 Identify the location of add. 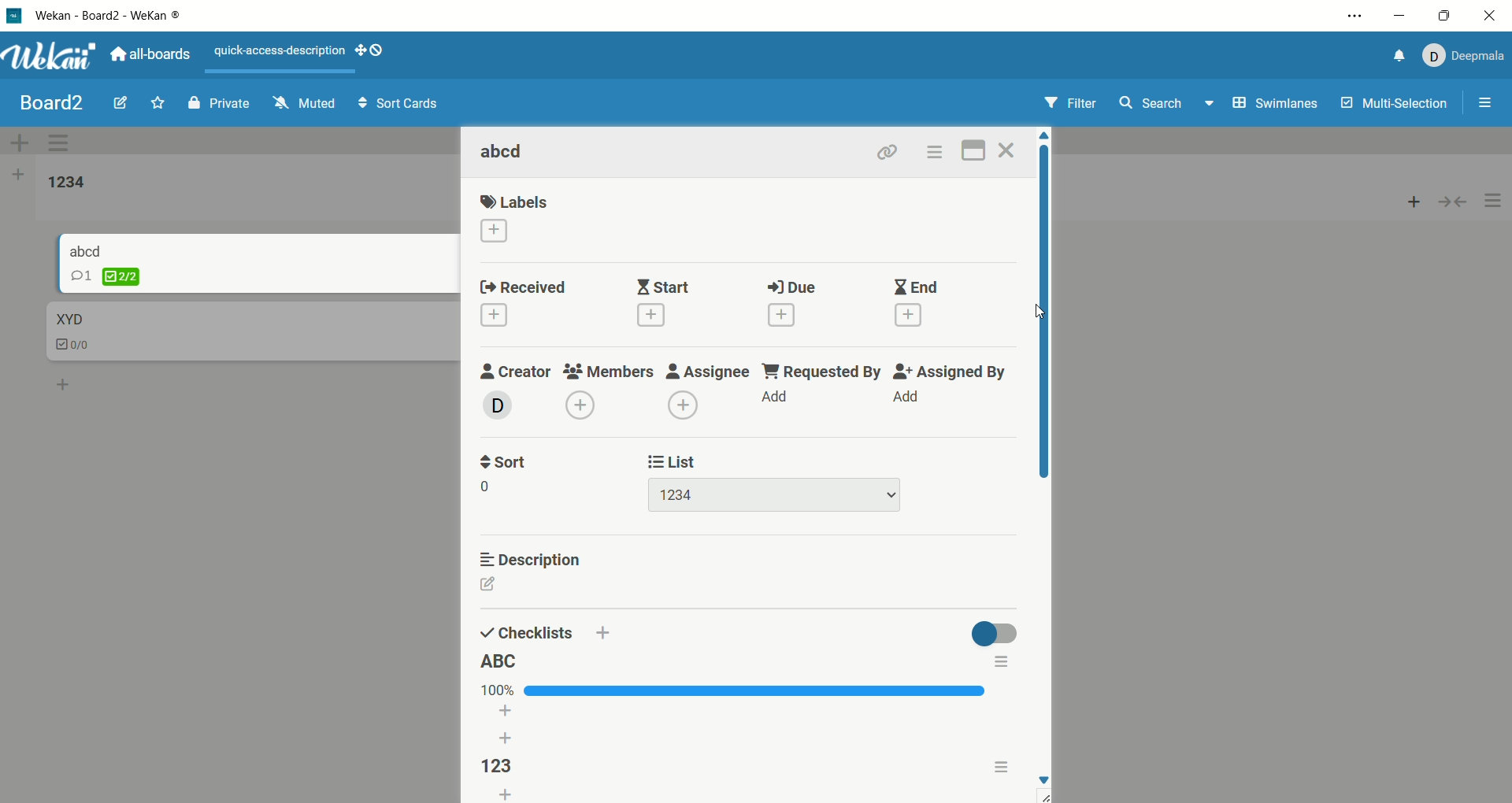
(684, 405).